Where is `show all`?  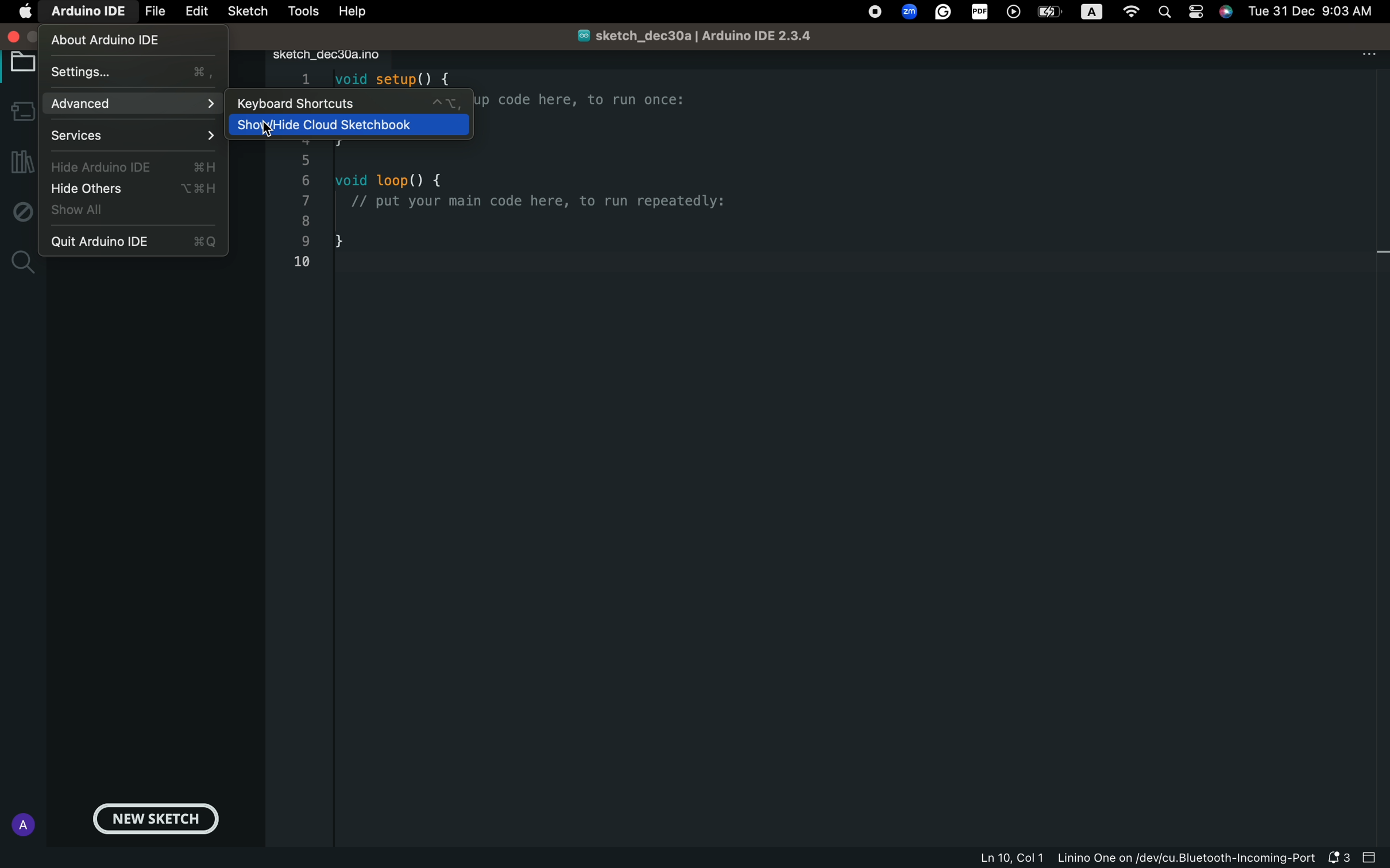 show all is located at coordinates (134, 212).